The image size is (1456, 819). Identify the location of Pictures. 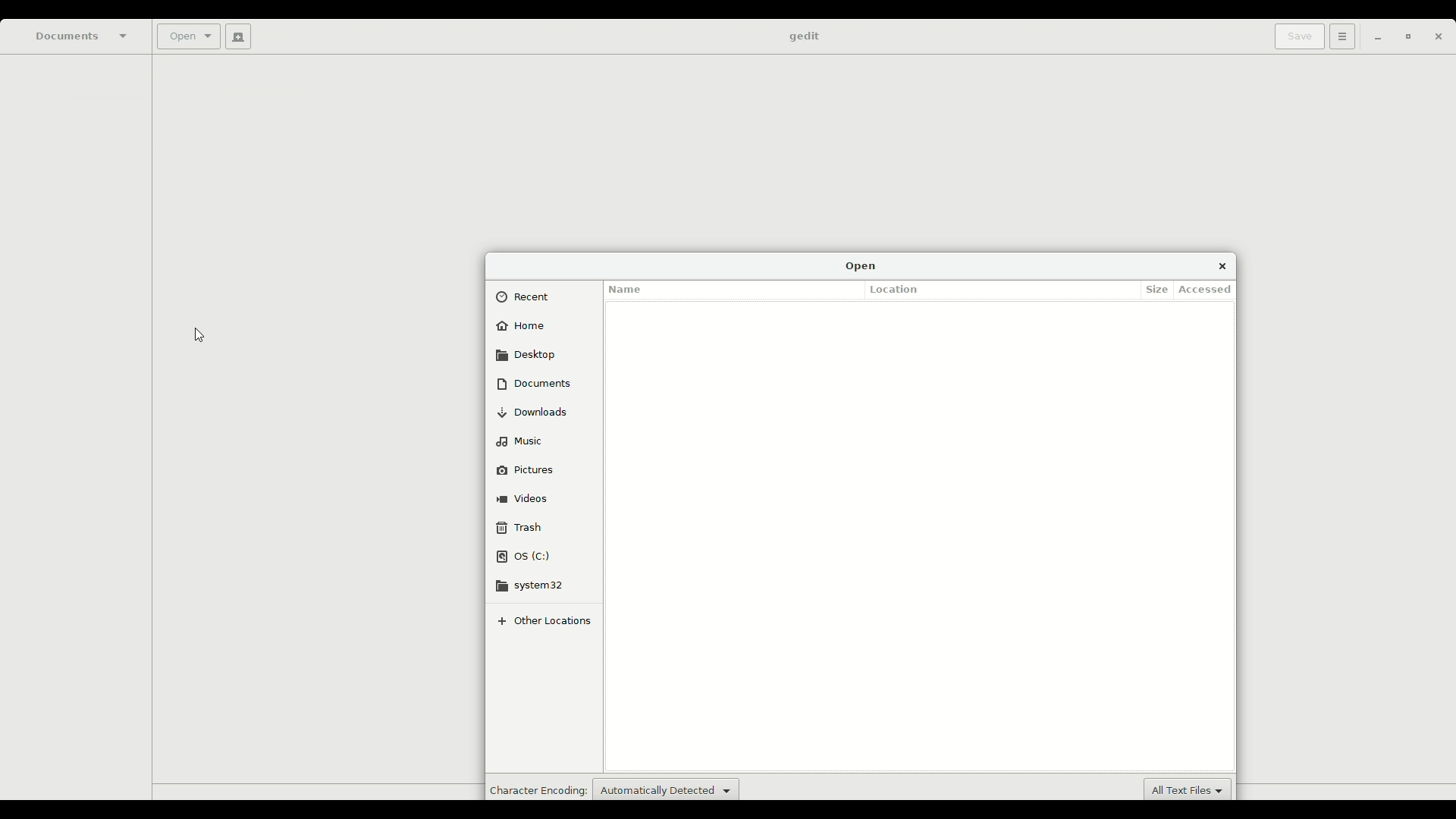
(535, 468).